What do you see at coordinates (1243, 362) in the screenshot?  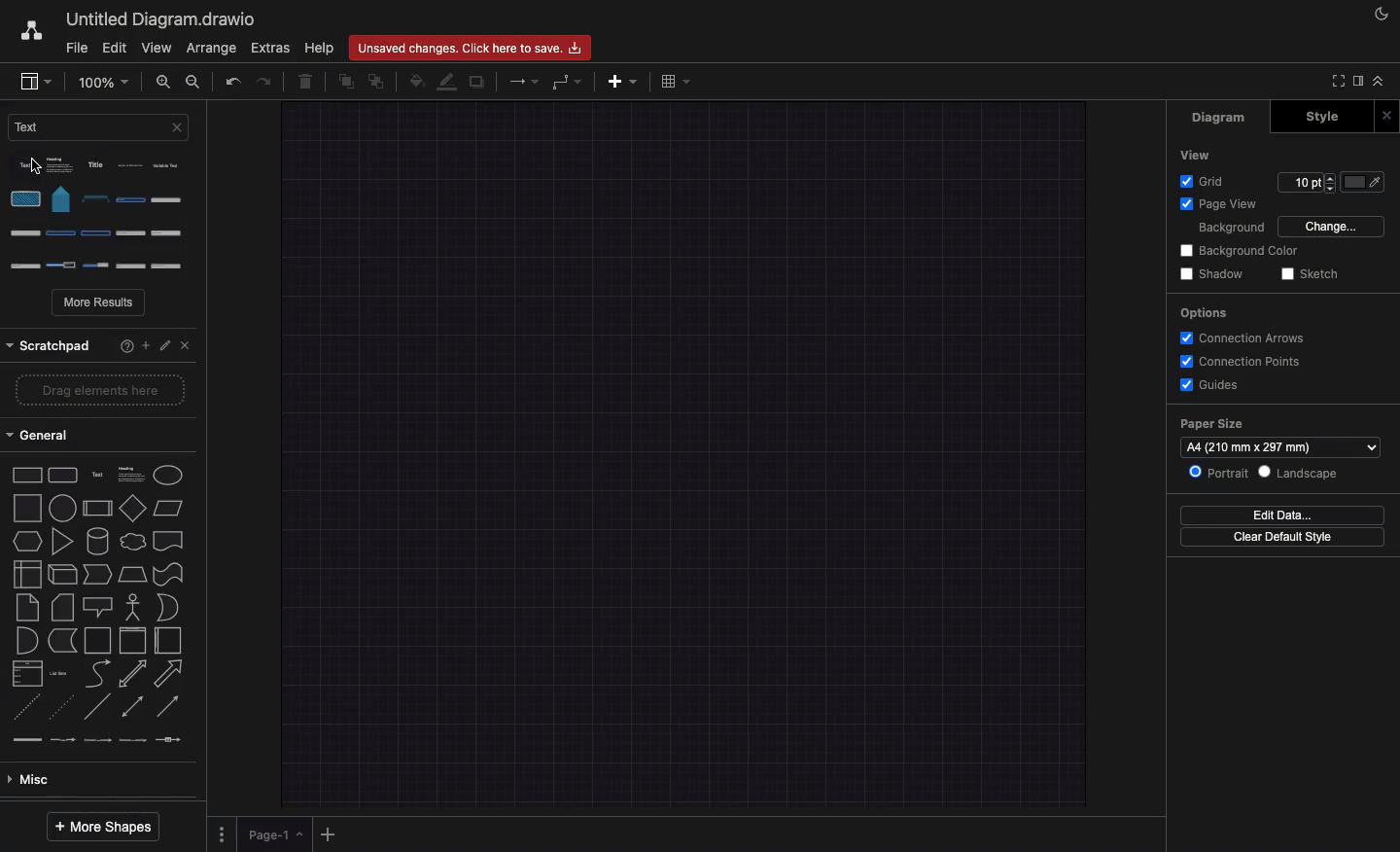 I see `Connection points` at bounding box center [1243, 362].